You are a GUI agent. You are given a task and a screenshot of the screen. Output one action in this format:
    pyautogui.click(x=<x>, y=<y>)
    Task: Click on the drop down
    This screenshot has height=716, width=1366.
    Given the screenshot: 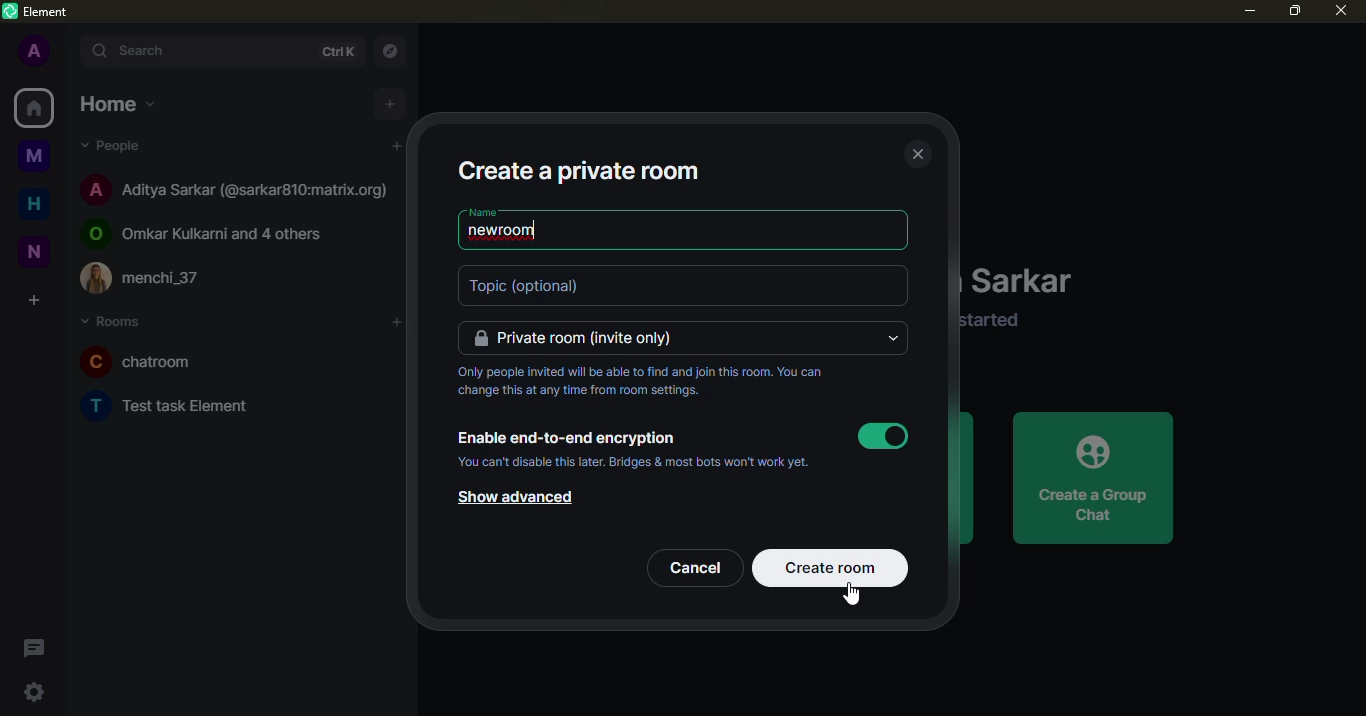 What is the action you would take?
    pyautogui.click(x=890, y=339)
    